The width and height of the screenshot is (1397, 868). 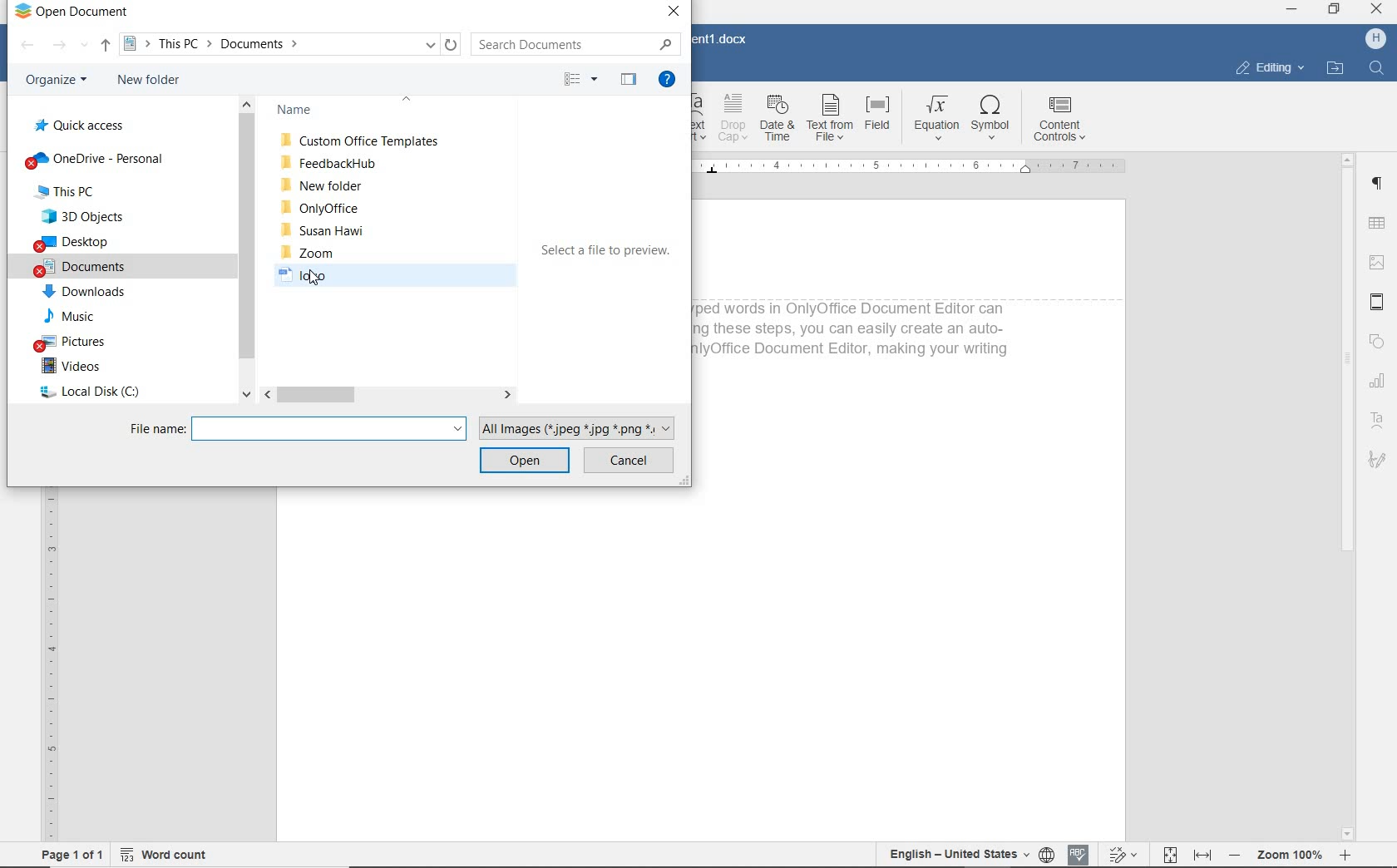 What do you see at coordinates (77, 318) in the screenshot?
I see `MUSIC` at bounding box center [77, 318].